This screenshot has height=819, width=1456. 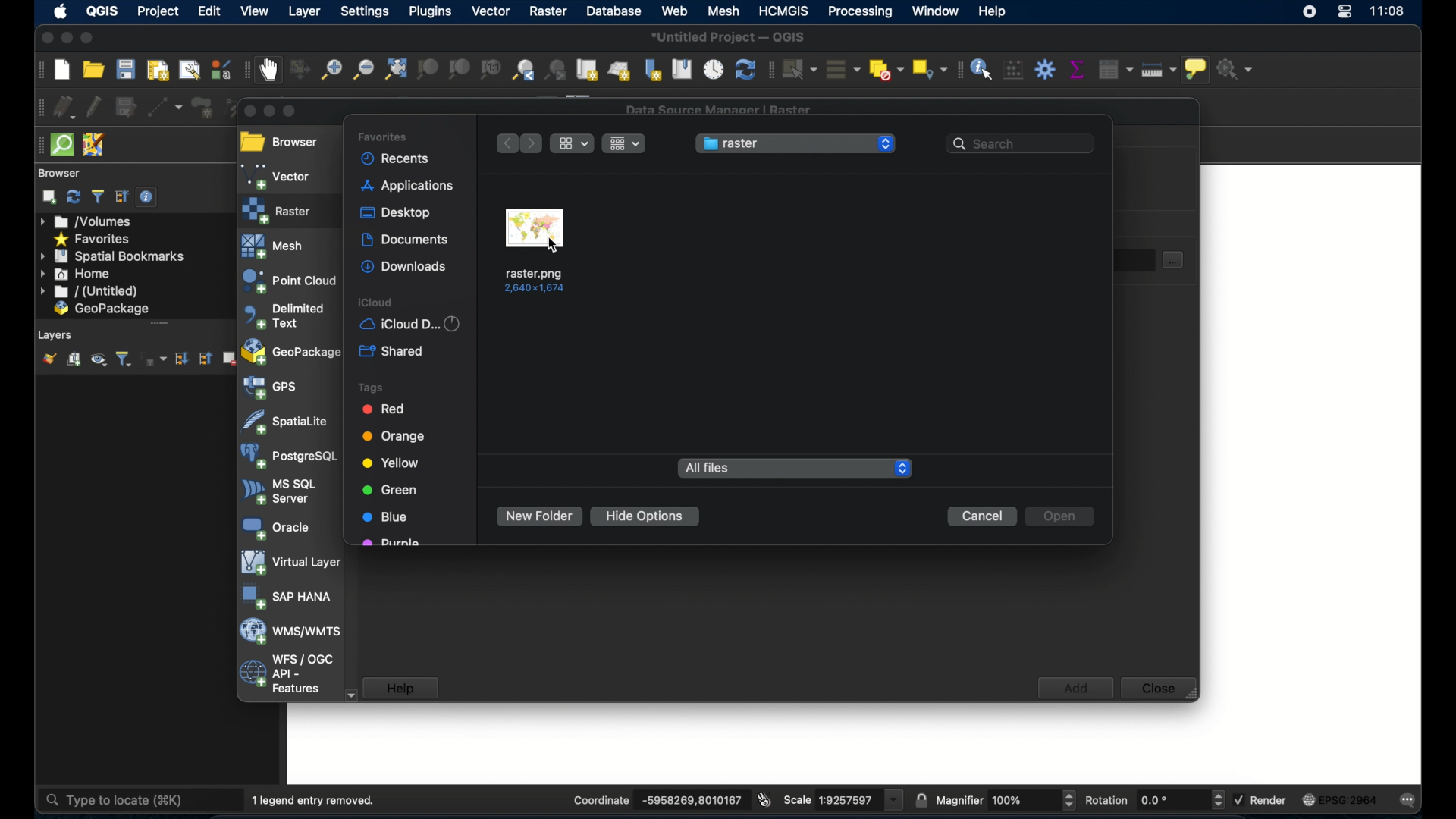 I want to click on maximize, so click(x=290, y=111).